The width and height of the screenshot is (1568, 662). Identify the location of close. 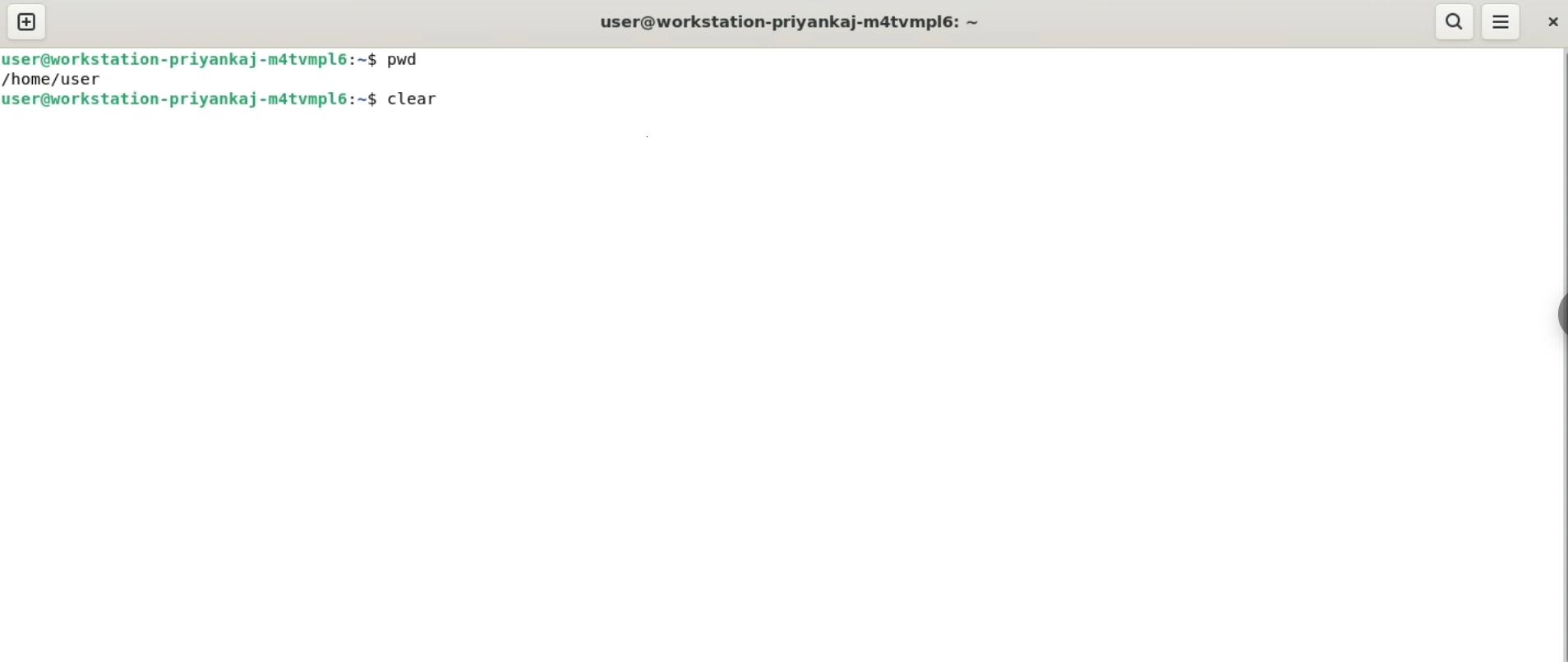
(1553, 25).